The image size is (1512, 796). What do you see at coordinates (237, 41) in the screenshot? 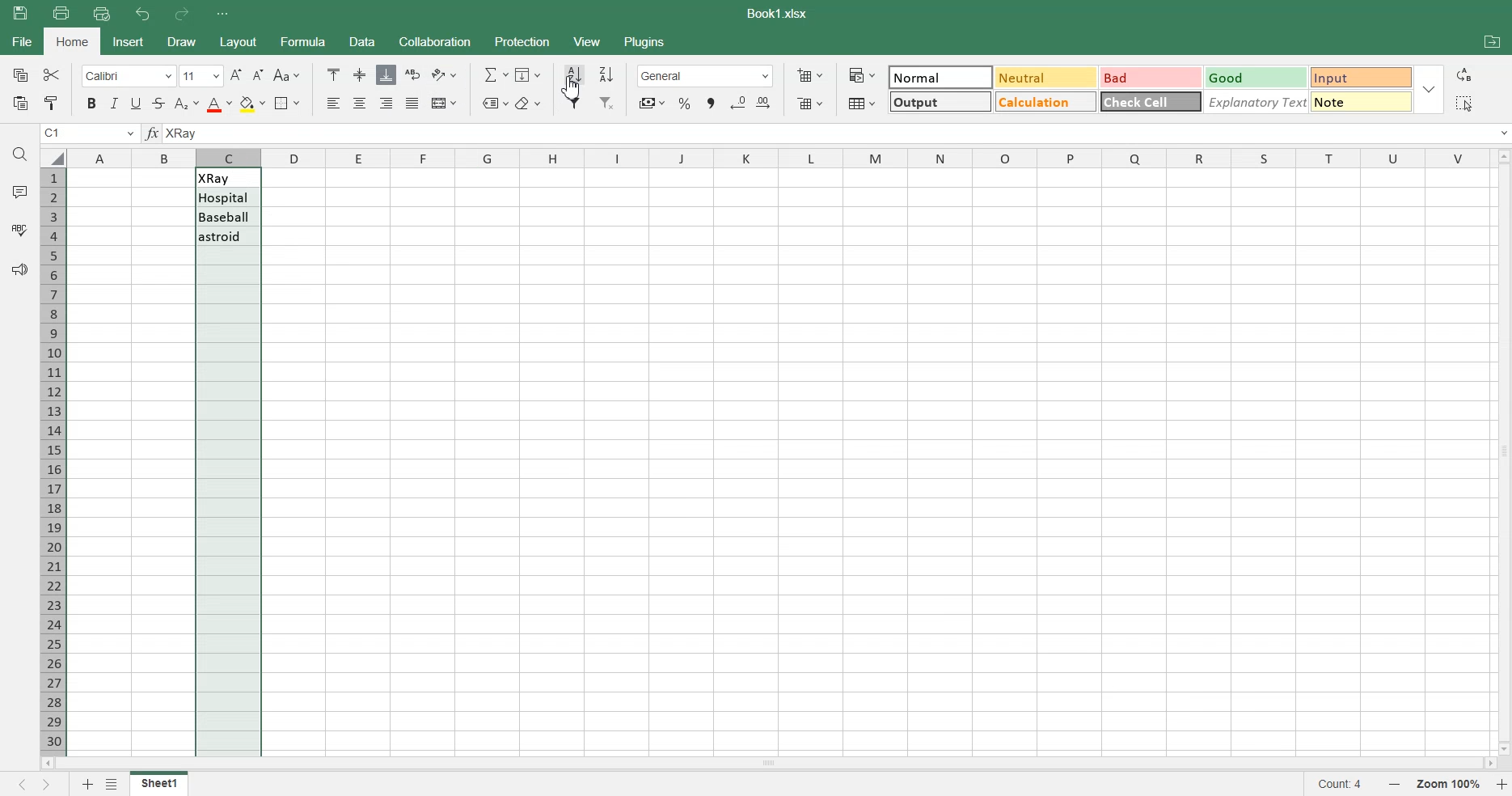
I see `Layout` at bounding box center [237, 41].